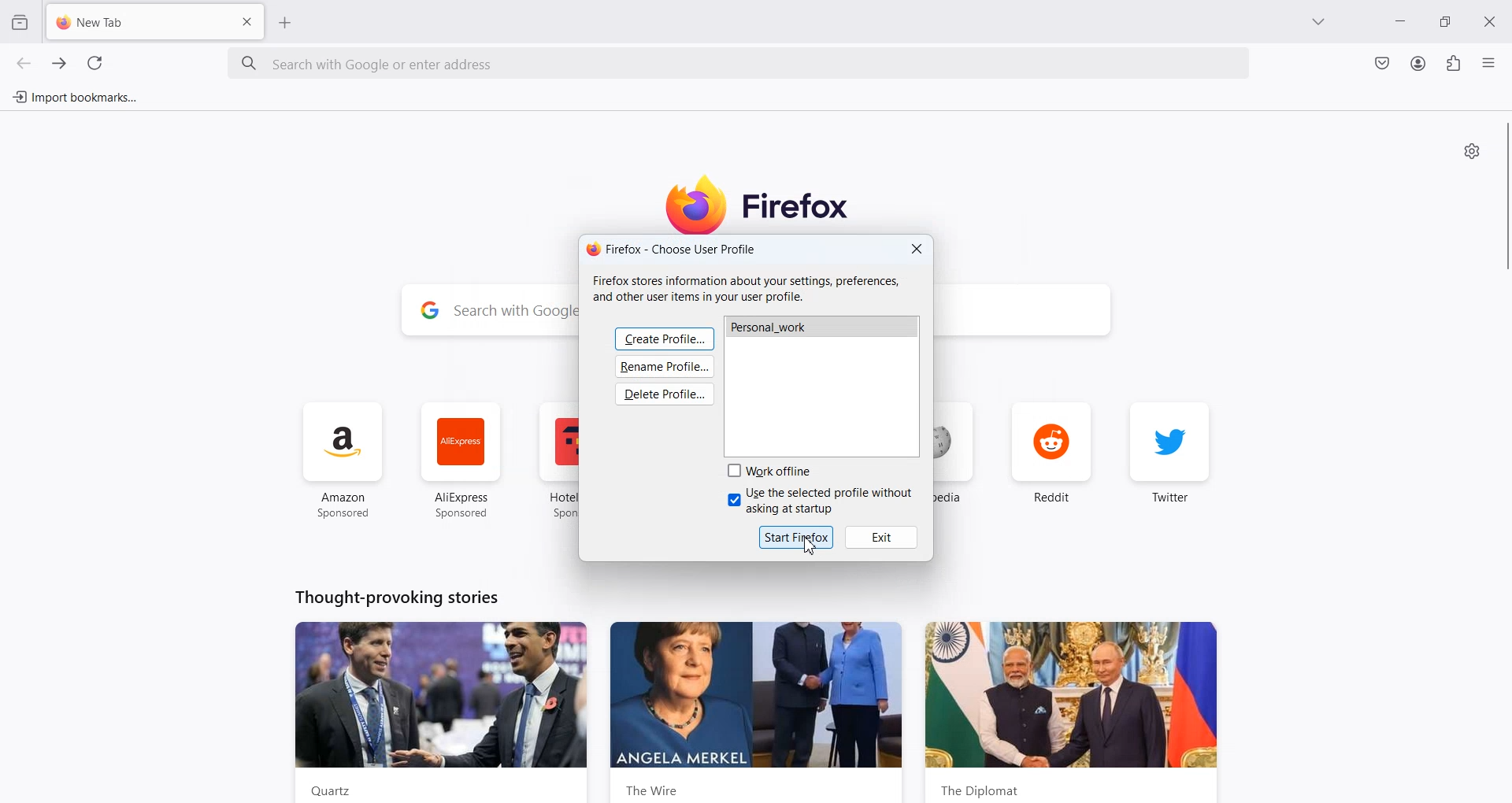 This screenshot has height=803, width=1512. What do you see at coordinates (765, 203) in the screenshot?
I see `firefox Logo` at bounding box center [765, 203].